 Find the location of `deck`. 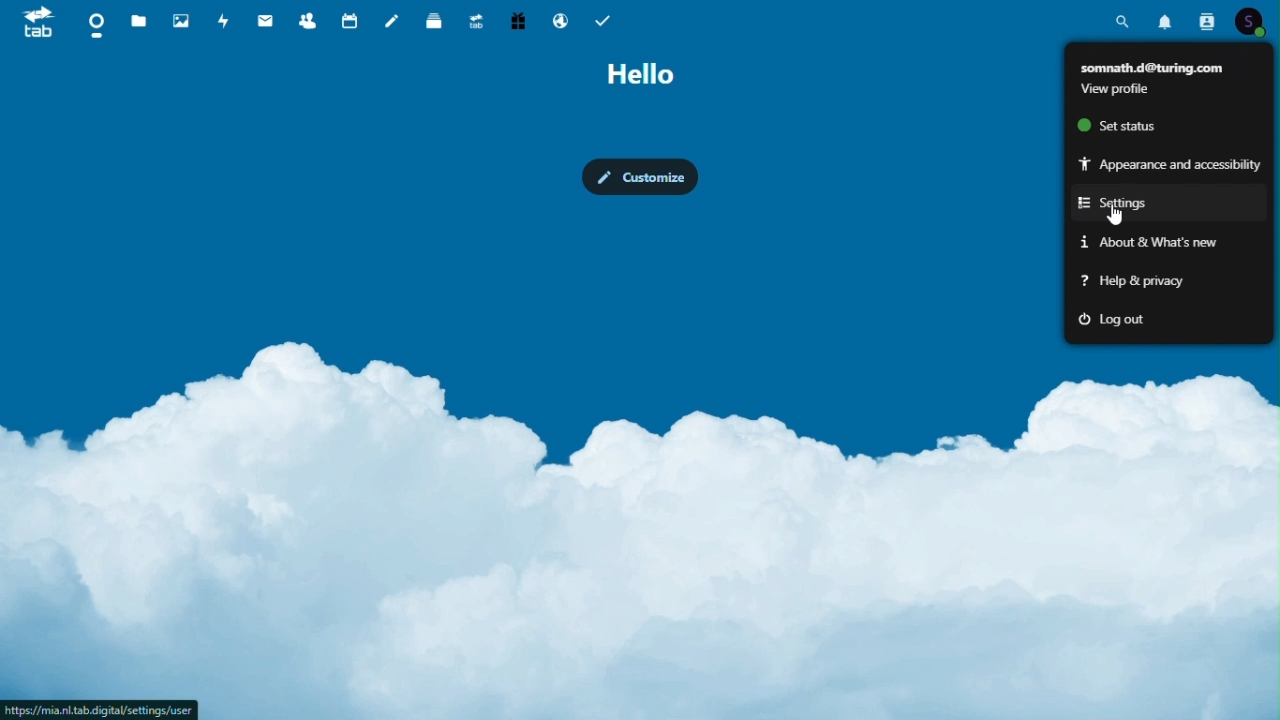

deck is located at coordinates (436, 19).